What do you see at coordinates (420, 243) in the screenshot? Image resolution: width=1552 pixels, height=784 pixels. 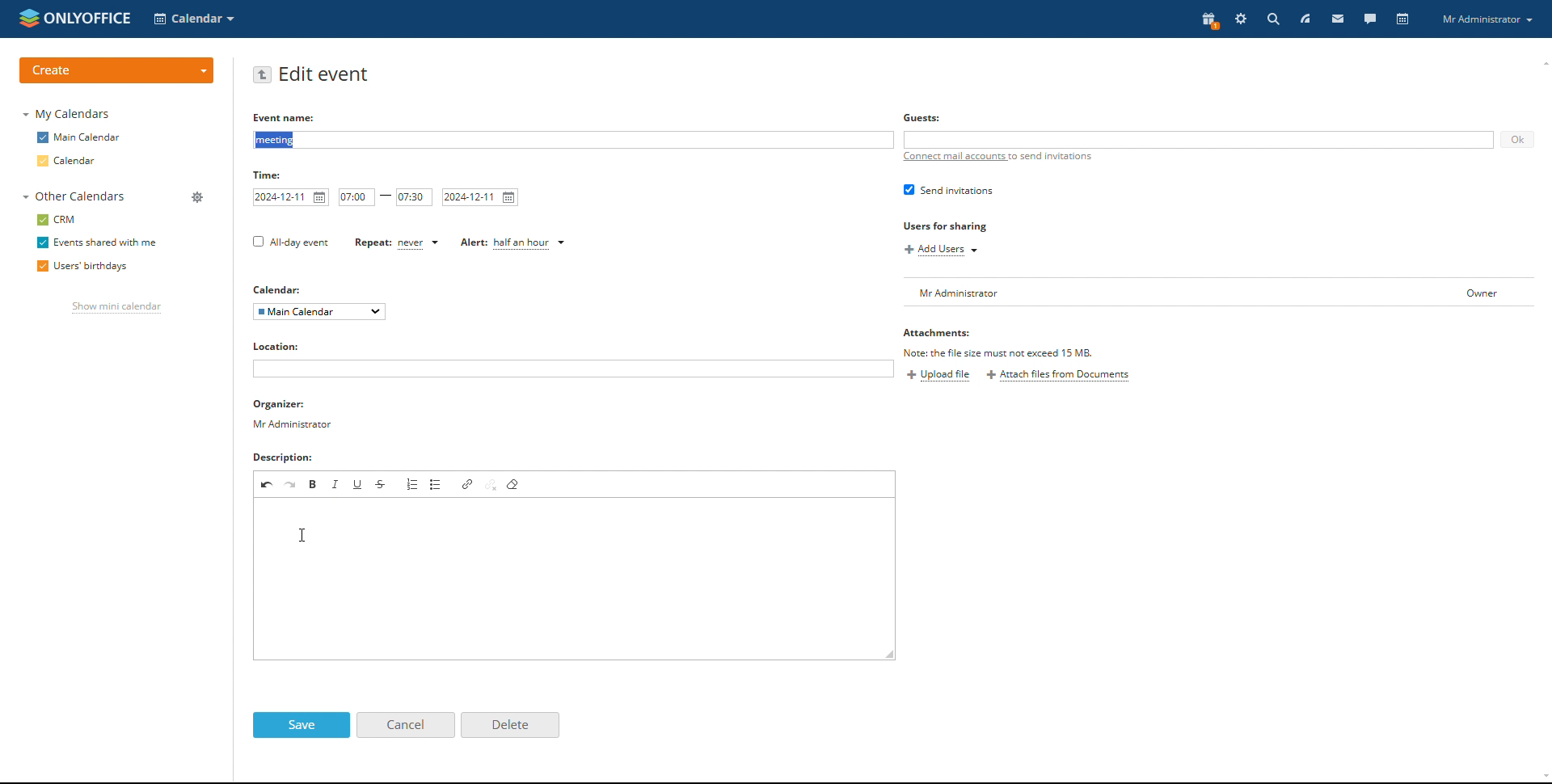 I see `set repetition` at bounding box center [420, 243].